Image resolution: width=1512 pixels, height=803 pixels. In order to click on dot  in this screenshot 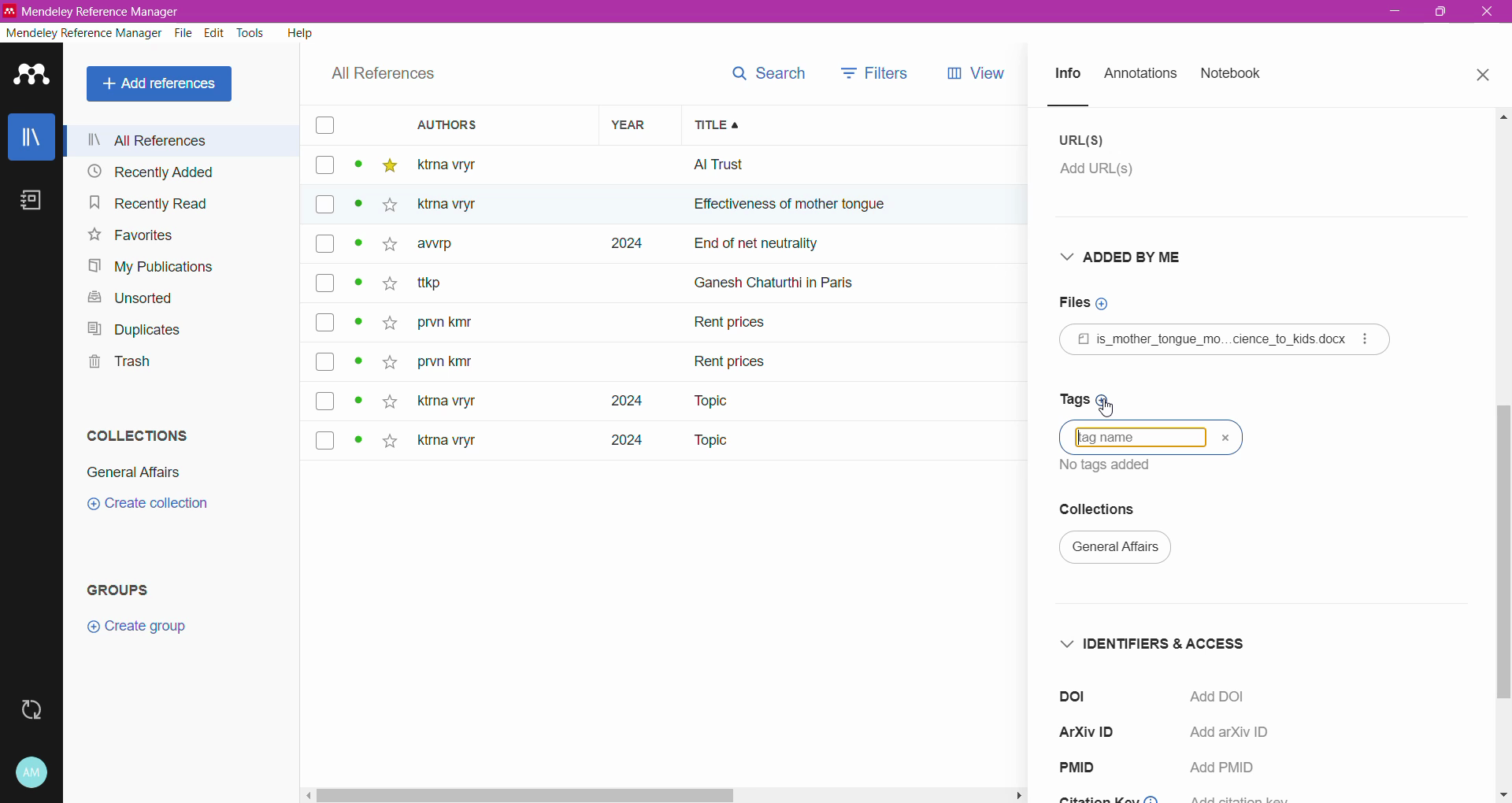, I will do `click(358, 366)`.